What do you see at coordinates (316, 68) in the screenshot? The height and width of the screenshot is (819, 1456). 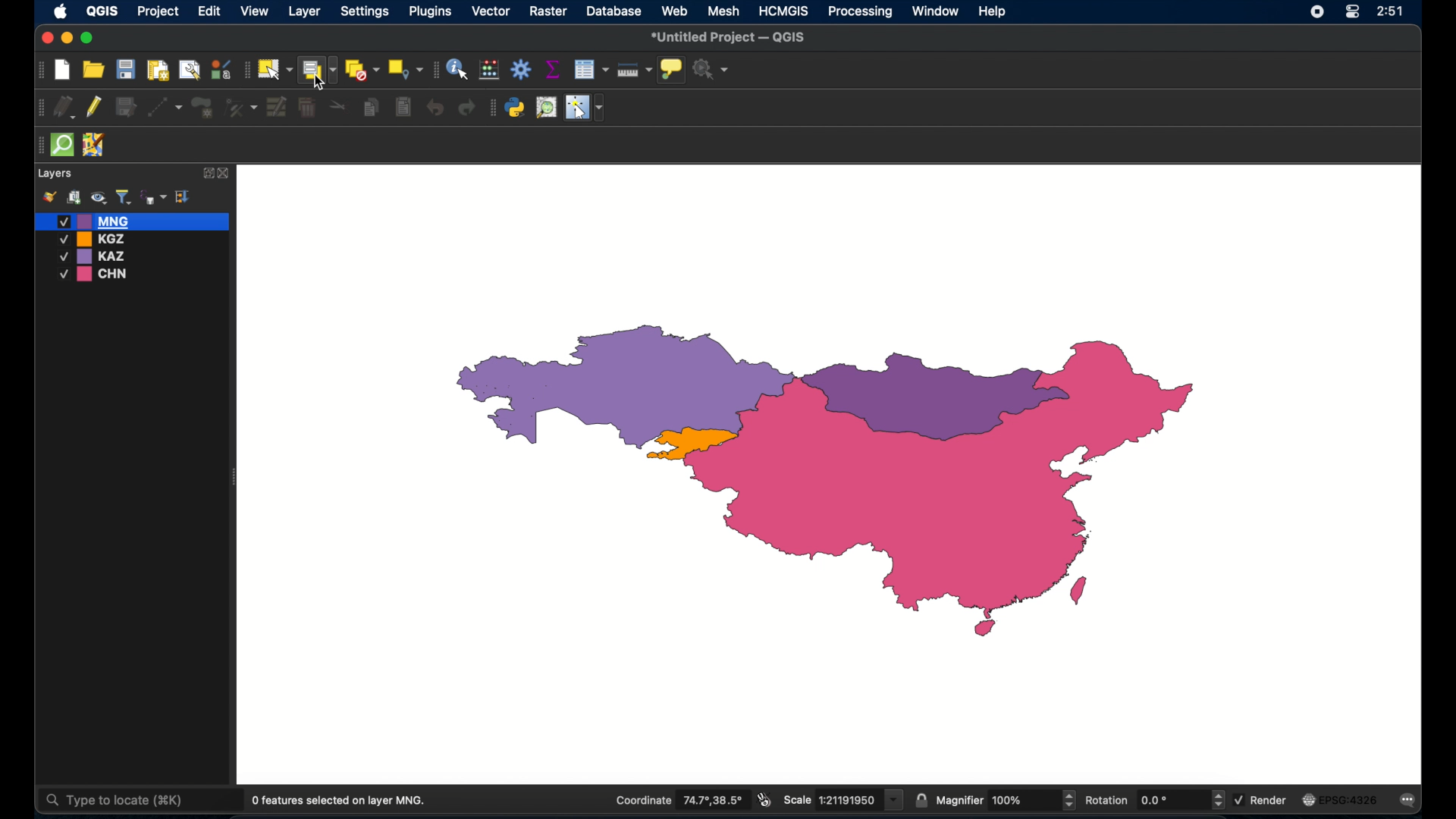 I see `select by area or single click` at bounding box center [316, 68].